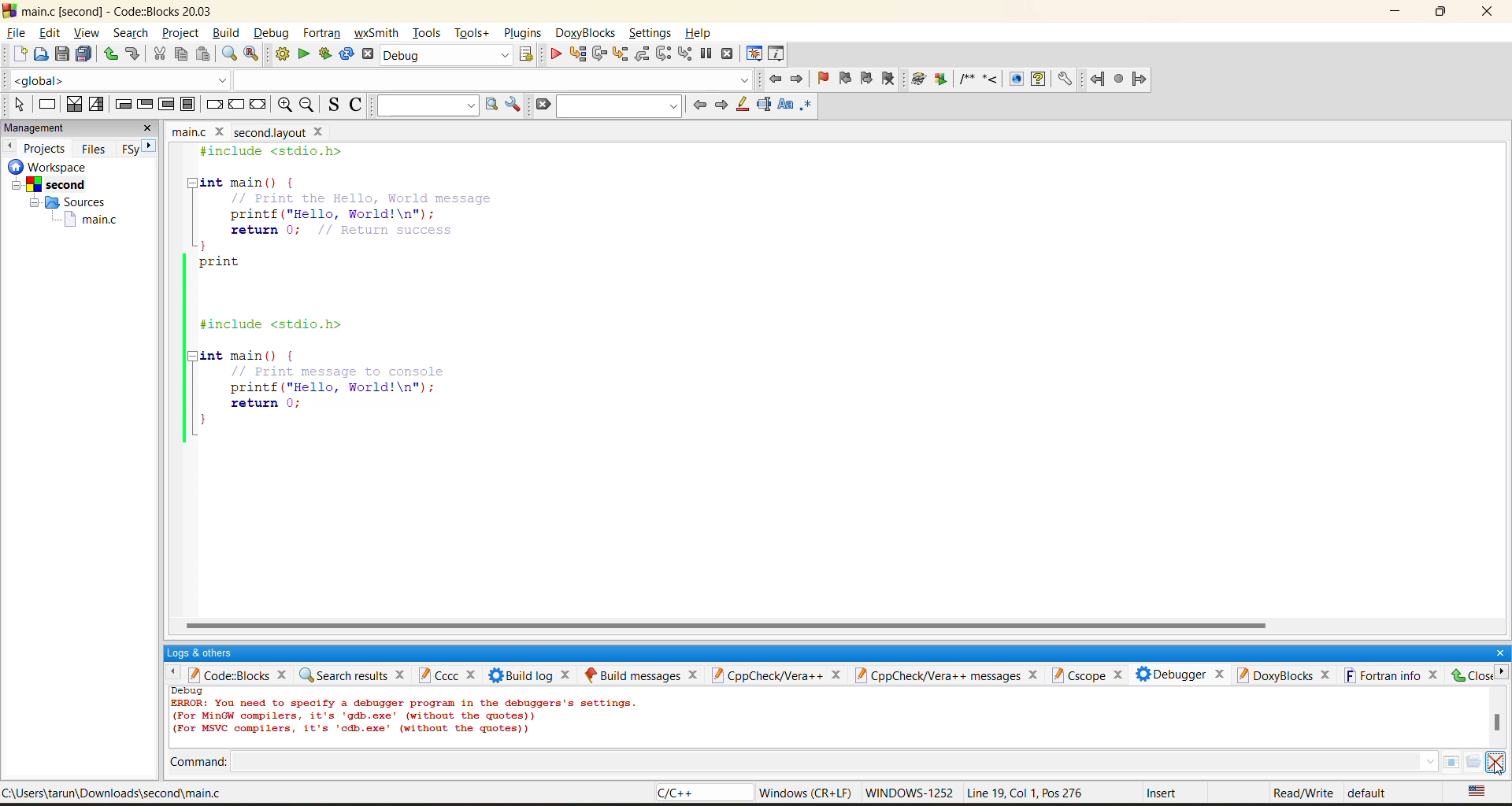 Image resolution: width=1512 pixels, height=806 pixels. I want to click on menu, so click(1465, 763).